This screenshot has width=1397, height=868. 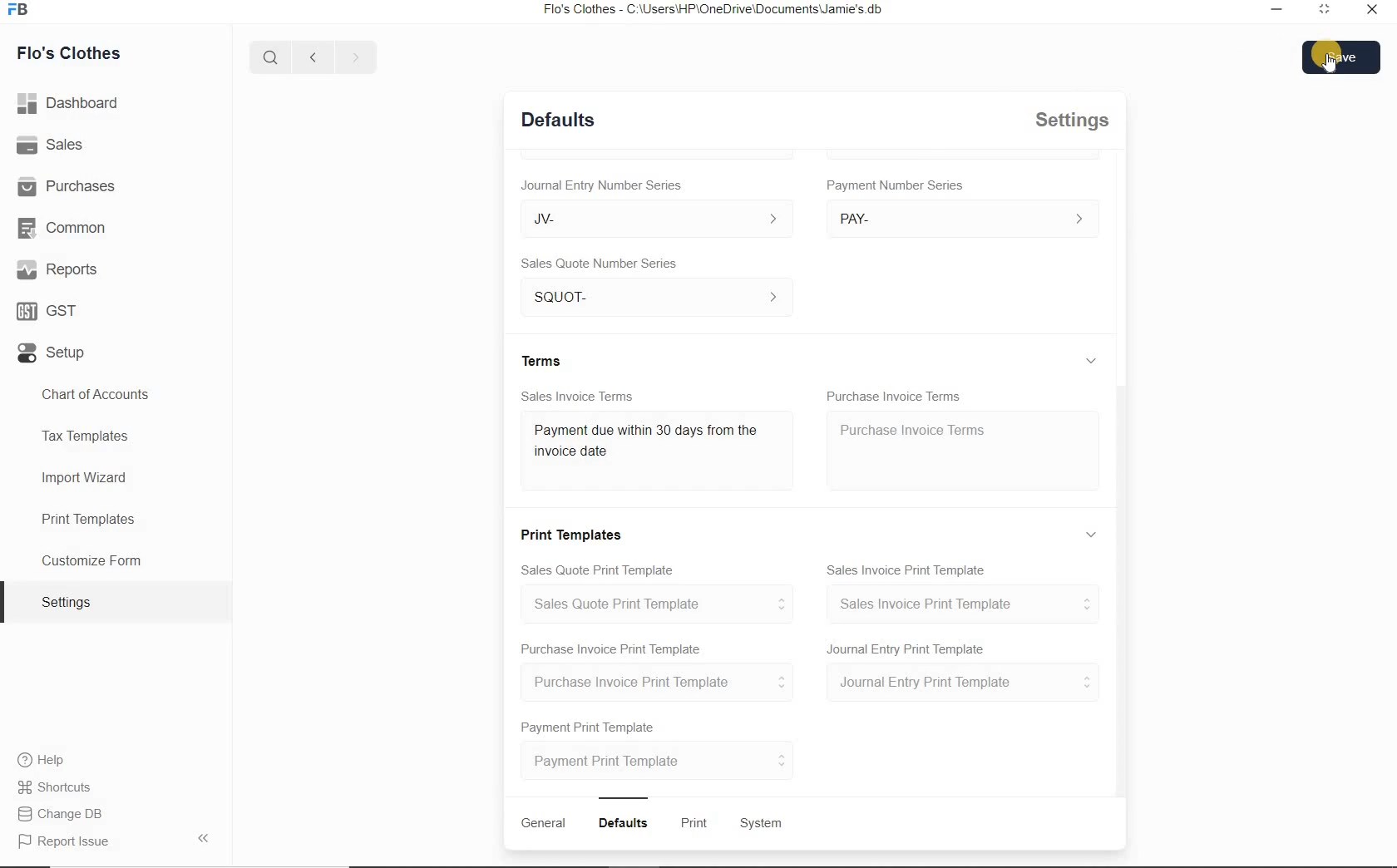 What do you see at coordinates (656, 219) in the screenshot?
I see `JV-` at bounding box center [656, 219].